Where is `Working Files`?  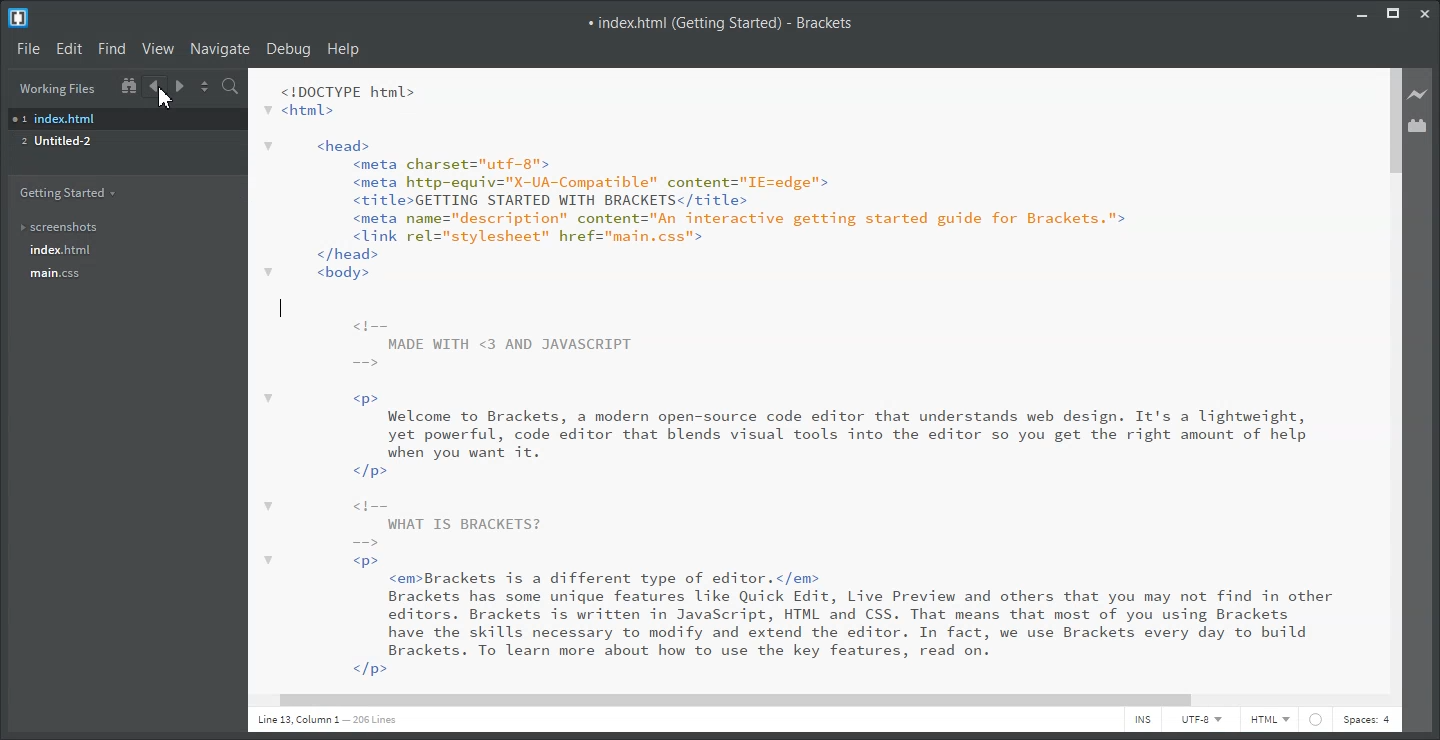
Working Files is located at coordinates (57, 88).